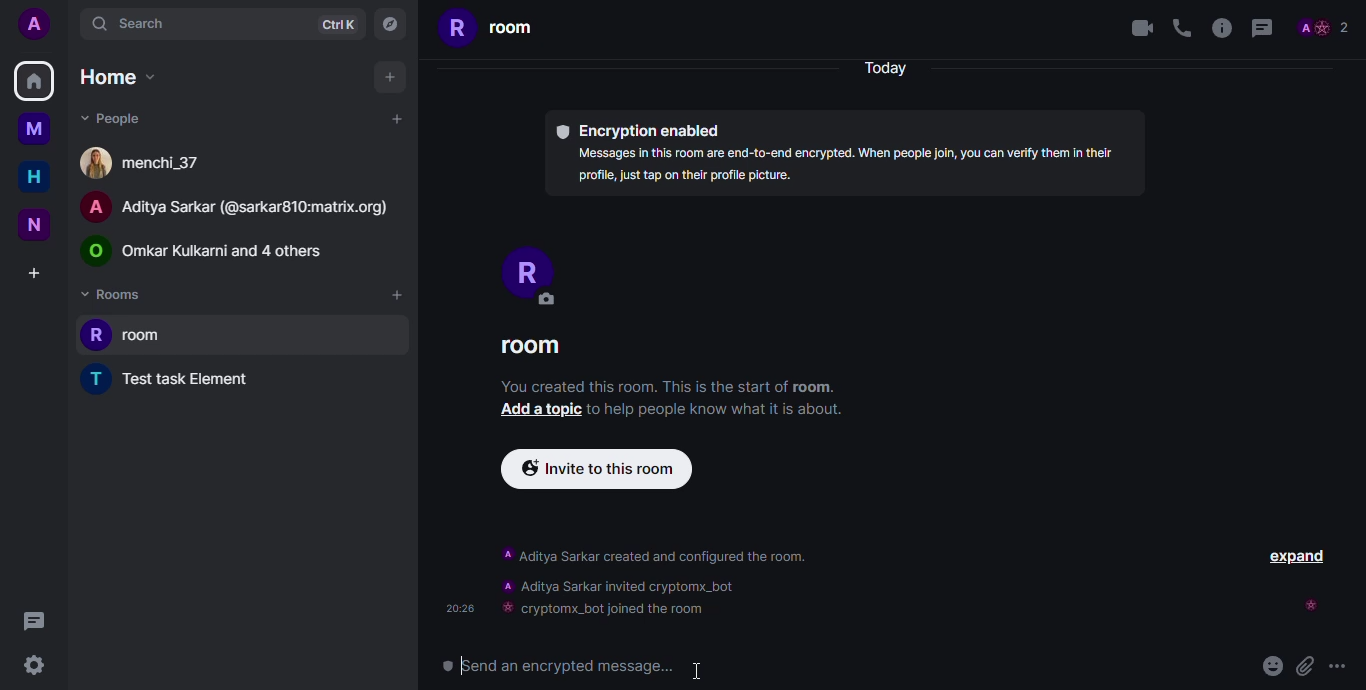 The height and width of the screenshot is (690, 1366). Describe the element at coordinates (1327, 25) in the screenshot. I see `profile` at that location.